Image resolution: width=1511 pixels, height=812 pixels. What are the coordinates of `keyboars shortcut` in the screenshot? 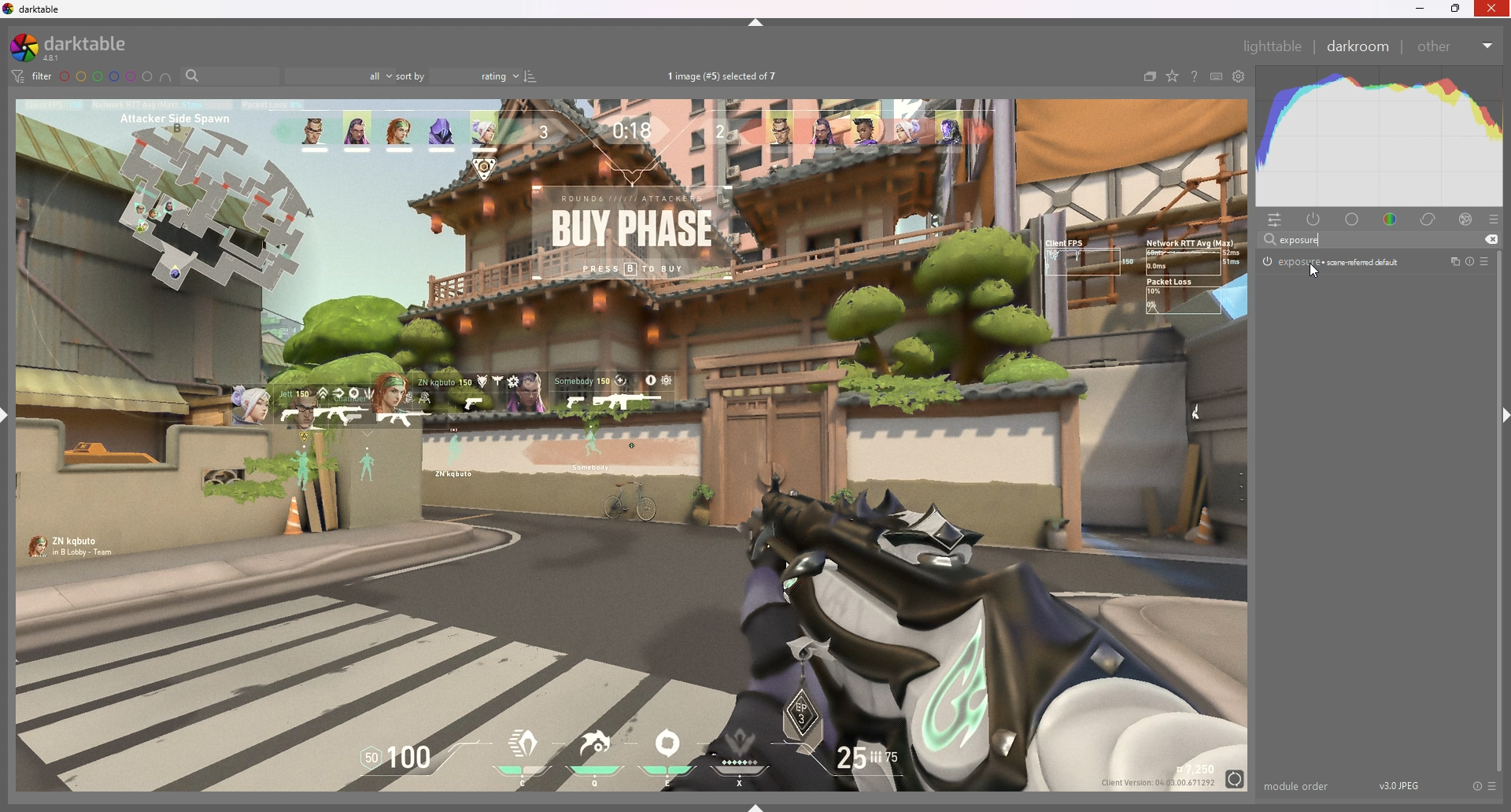 It's located at (1215, 76).